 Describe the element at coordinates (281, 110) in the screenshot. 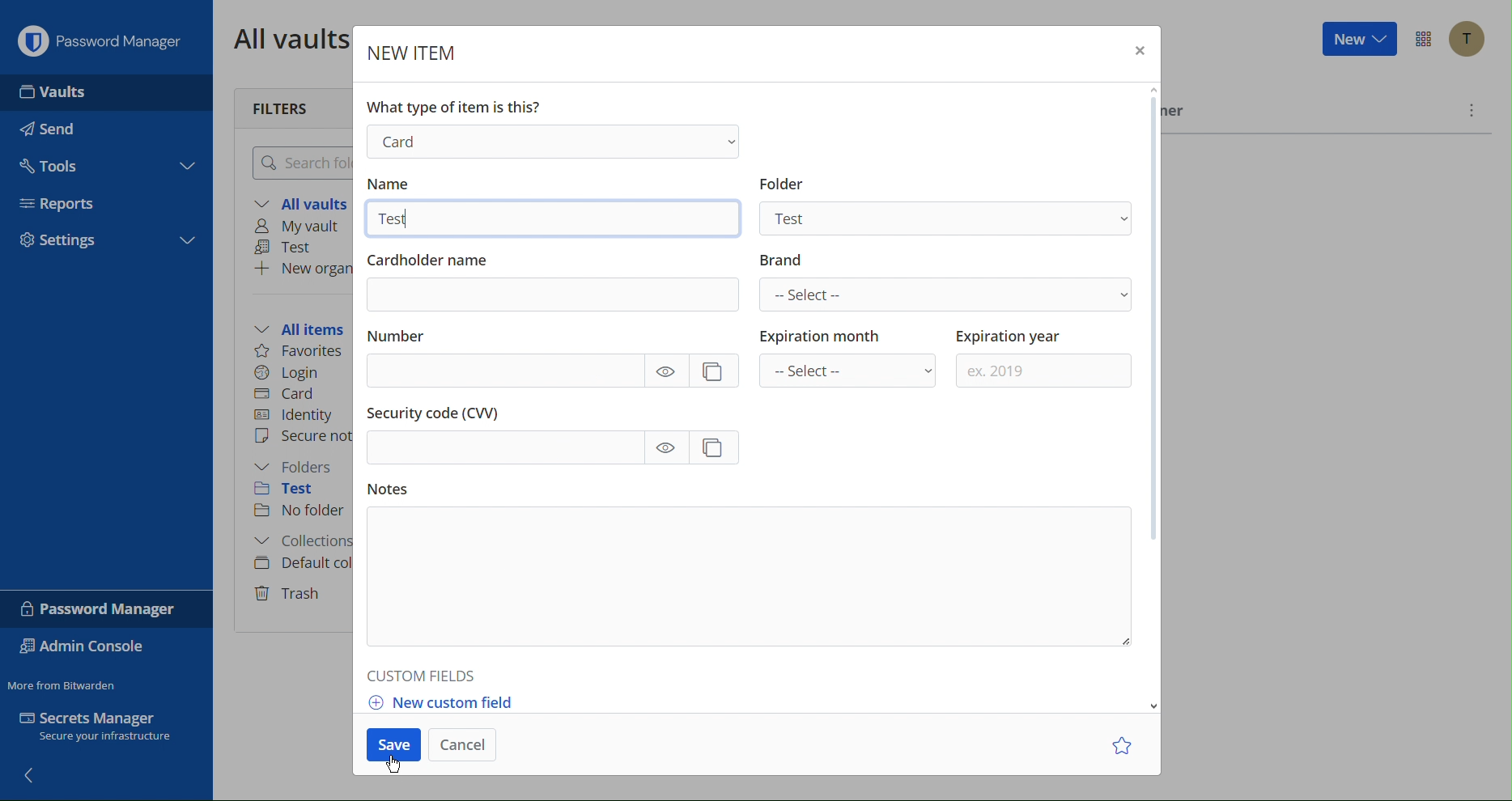

I see `Filters` at that location.